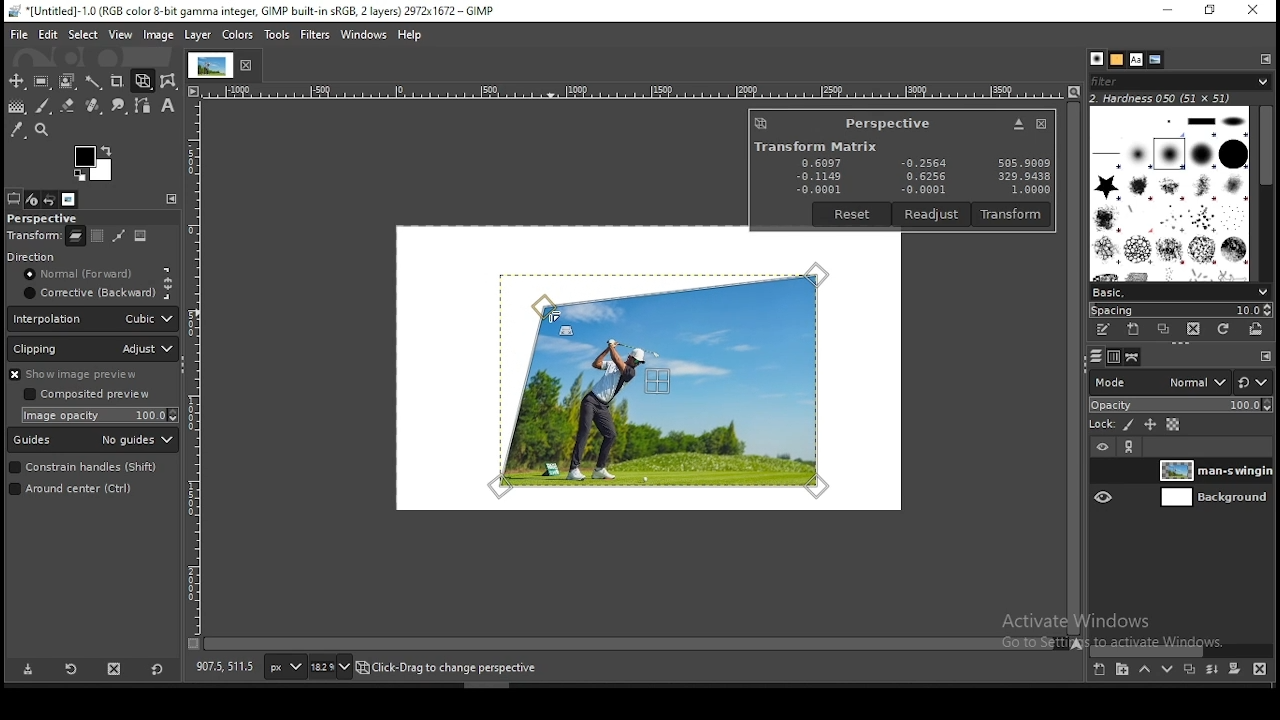 The height and width of the screenshot is (720, 1280). Describe the element at coordinates (314, 34) in the screenshot. I see `filters` at that location.